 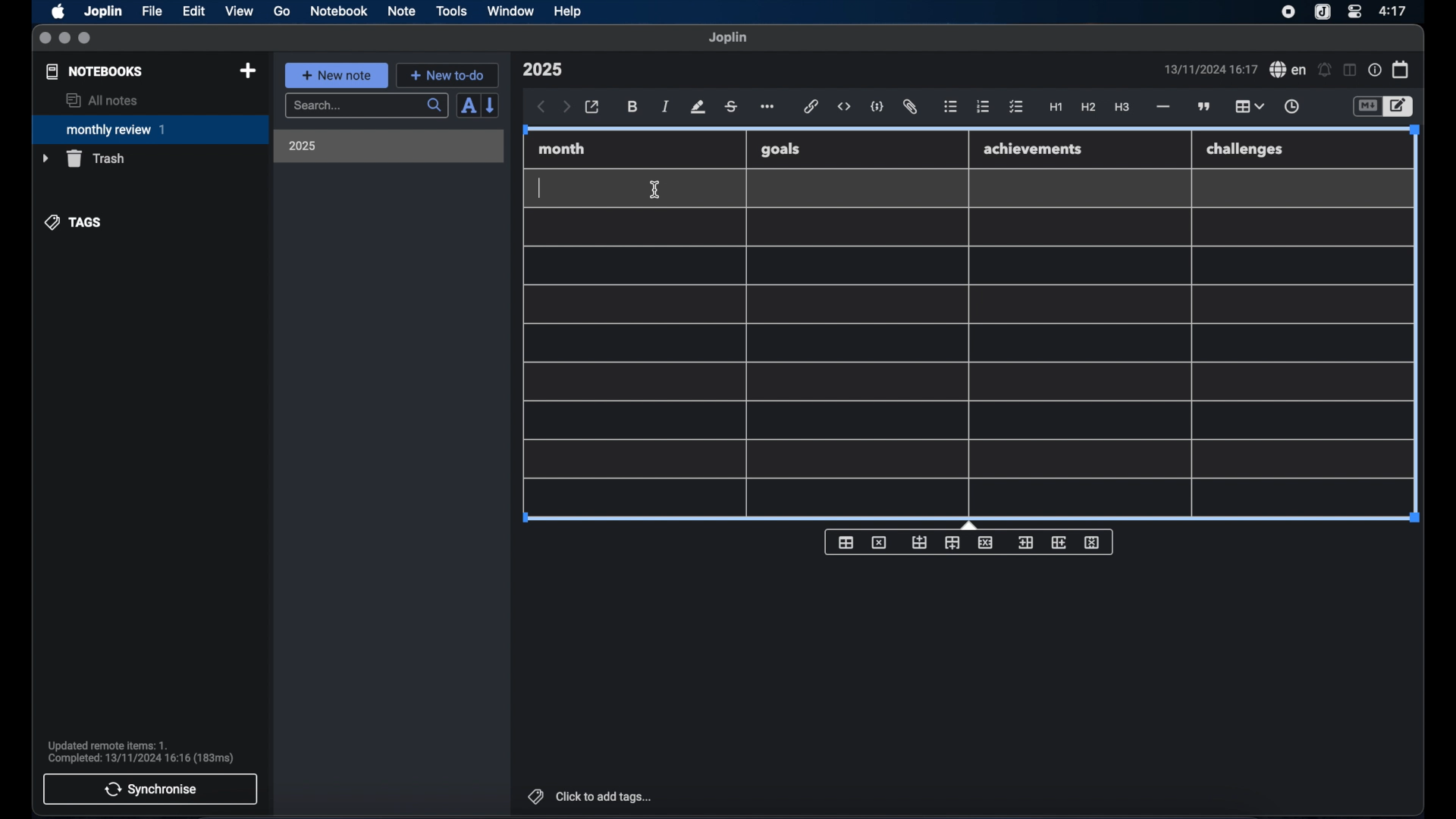 I want to click on insert row before, so click(x=920, y=543).